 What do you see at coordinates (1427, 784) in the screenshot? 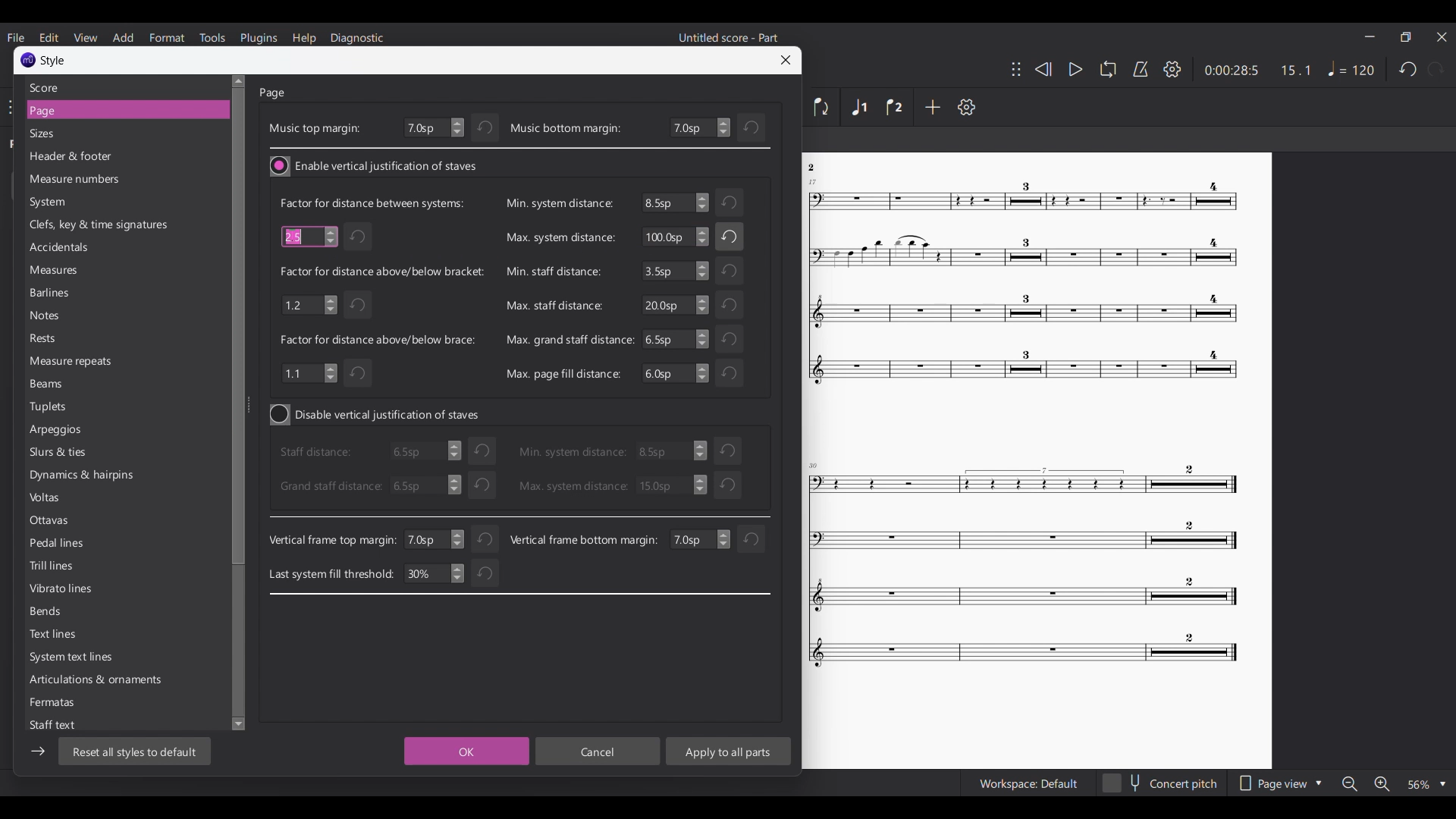
I see `Zoom options` at bounding box center [1427, 784].